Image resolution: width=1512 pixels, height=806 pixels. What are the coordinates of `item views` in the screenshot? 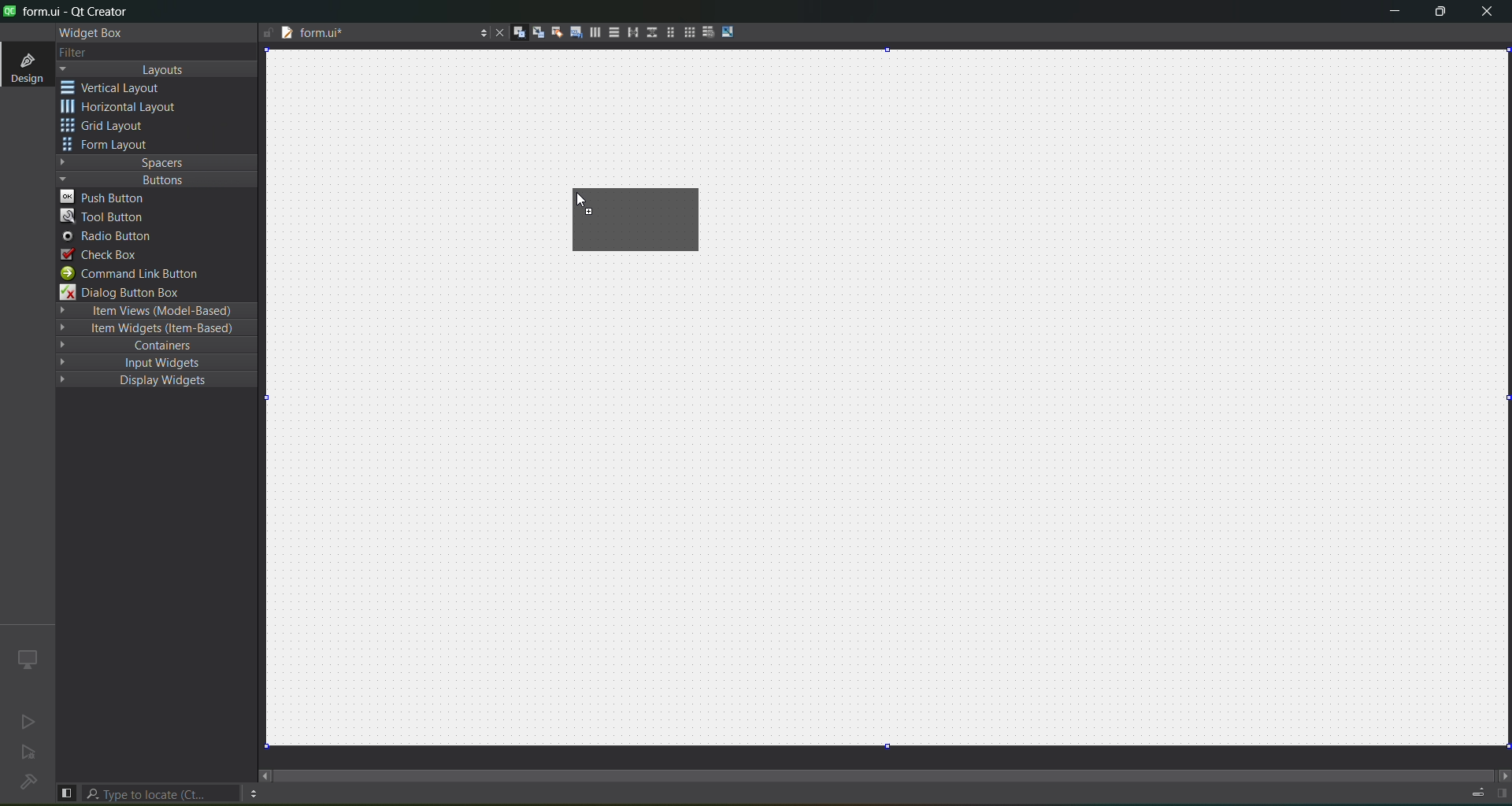 It's located at (154, 310).